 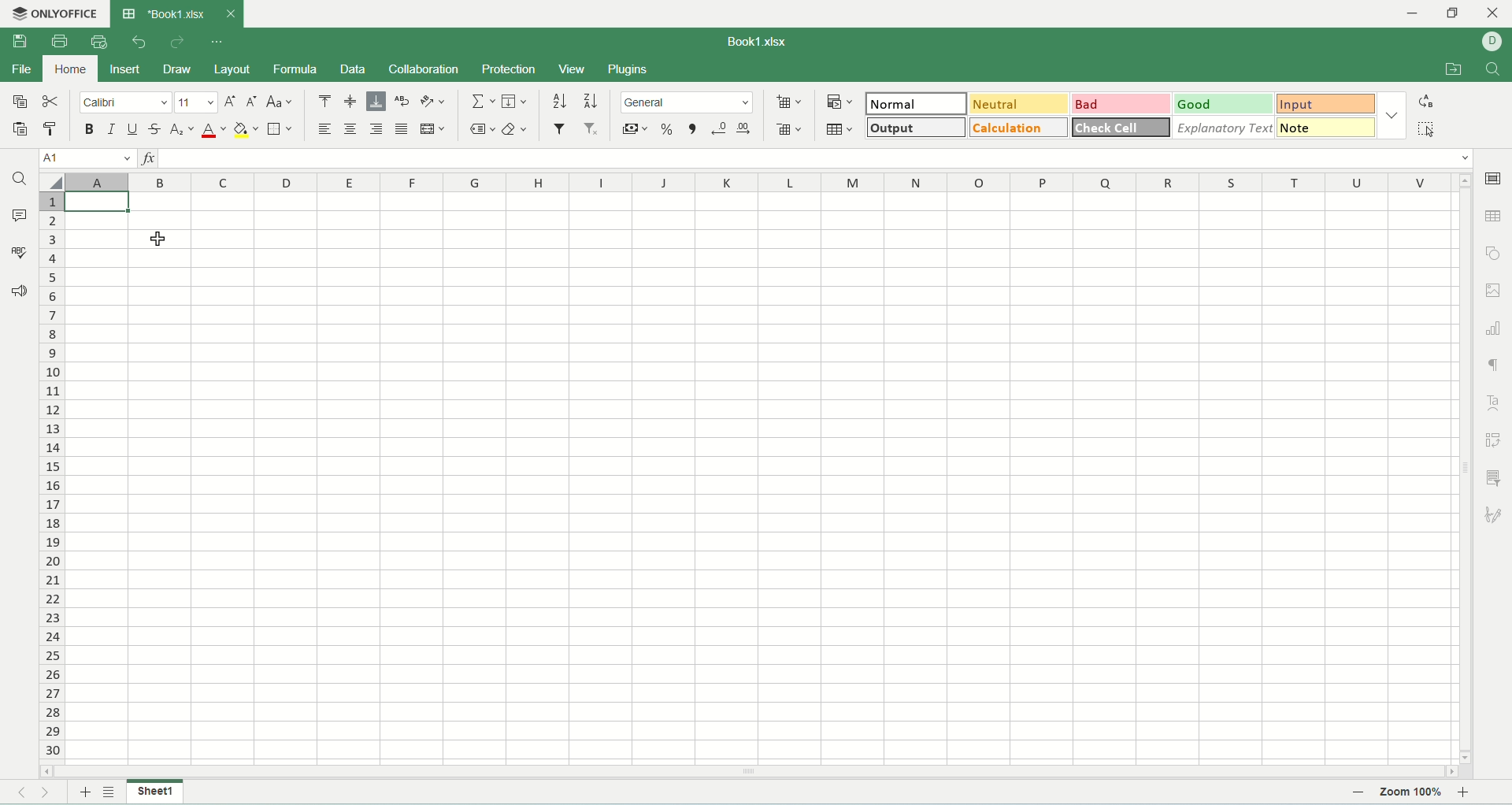 I want to click on cutomize quick access, so click(x=219, y=42).